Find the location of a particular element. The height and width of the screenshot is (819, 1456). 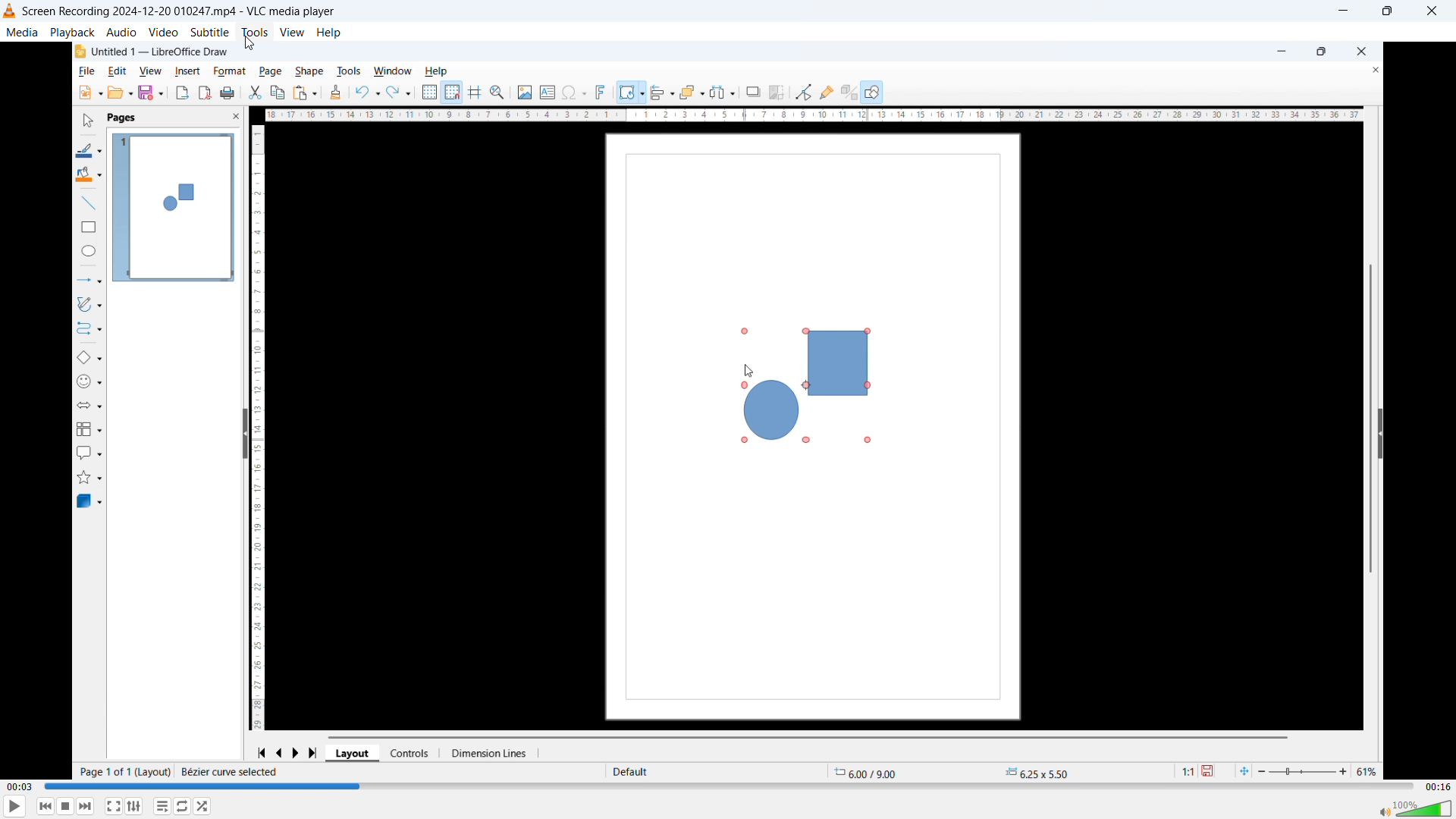

audio is located at coordinates (121, 33).